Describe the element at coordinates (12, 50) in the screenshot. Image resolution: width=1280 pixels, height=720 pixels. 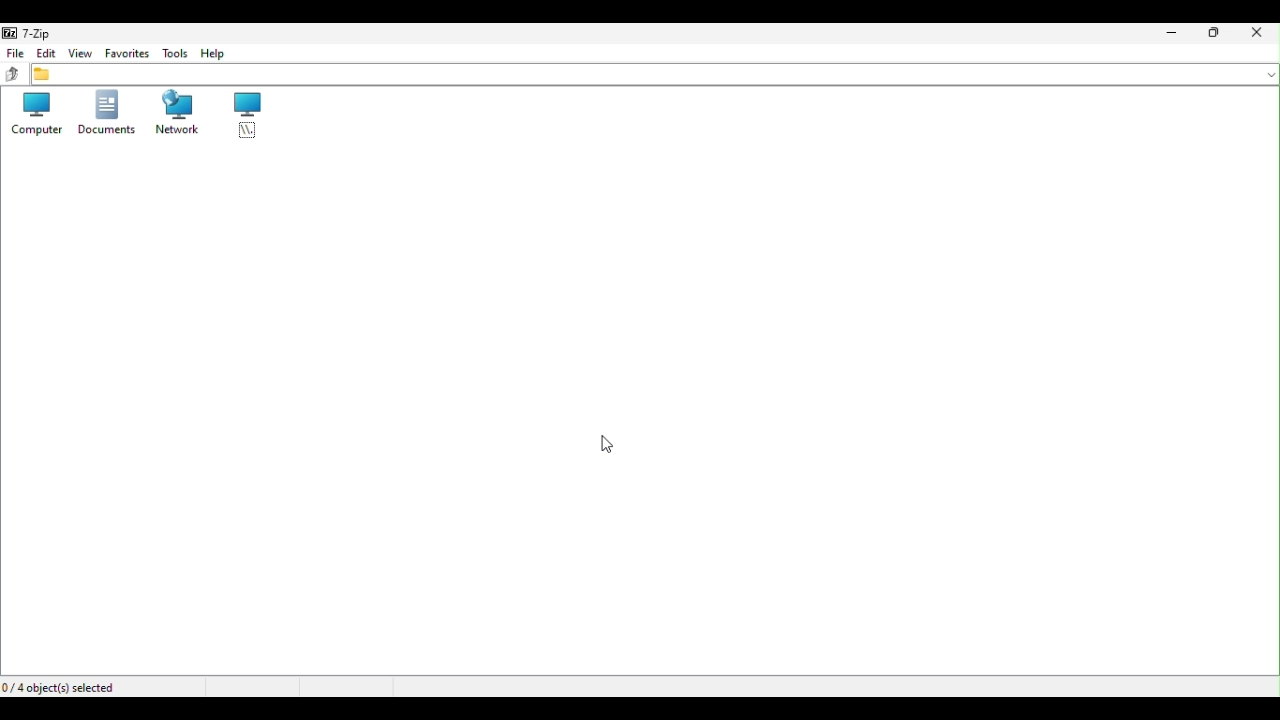
I see `file ` at that location.